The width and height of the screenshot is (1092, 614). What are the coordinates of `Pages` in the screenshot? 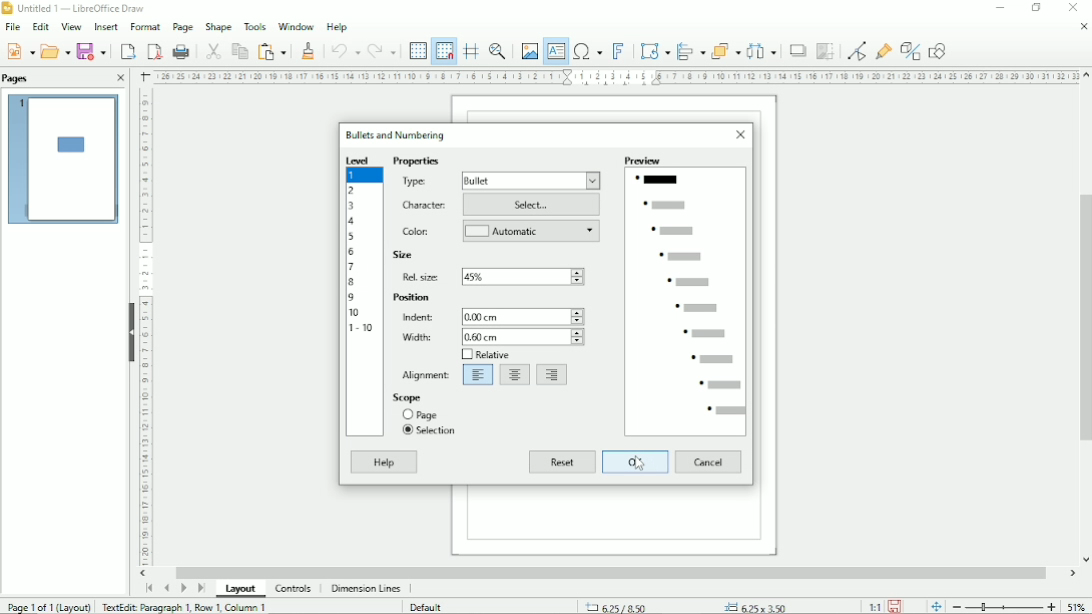 It's located at (16, 79).